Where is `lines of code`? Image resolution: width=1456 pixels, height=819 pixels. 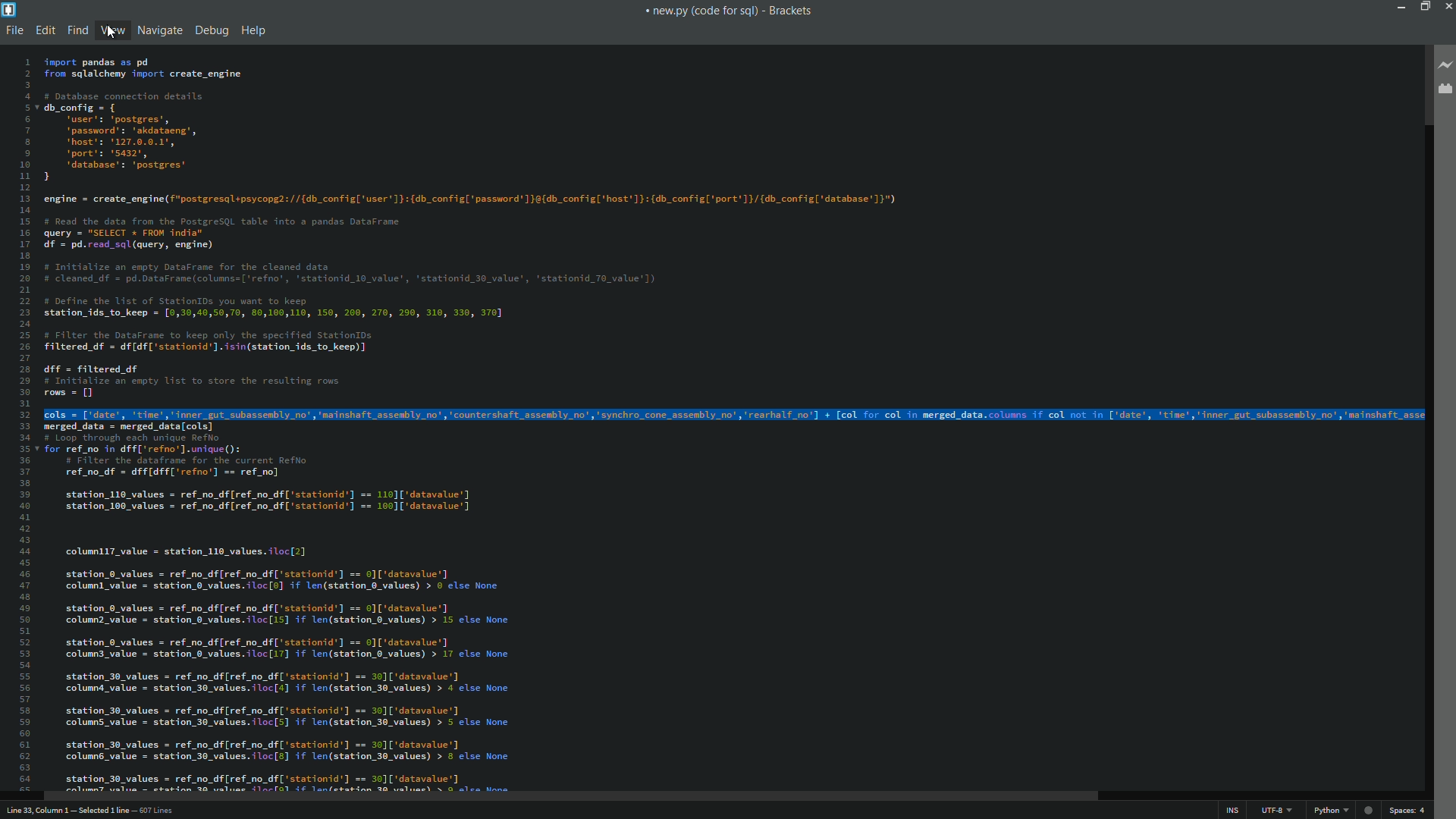
lines of code is located at coordinates (729, 605).